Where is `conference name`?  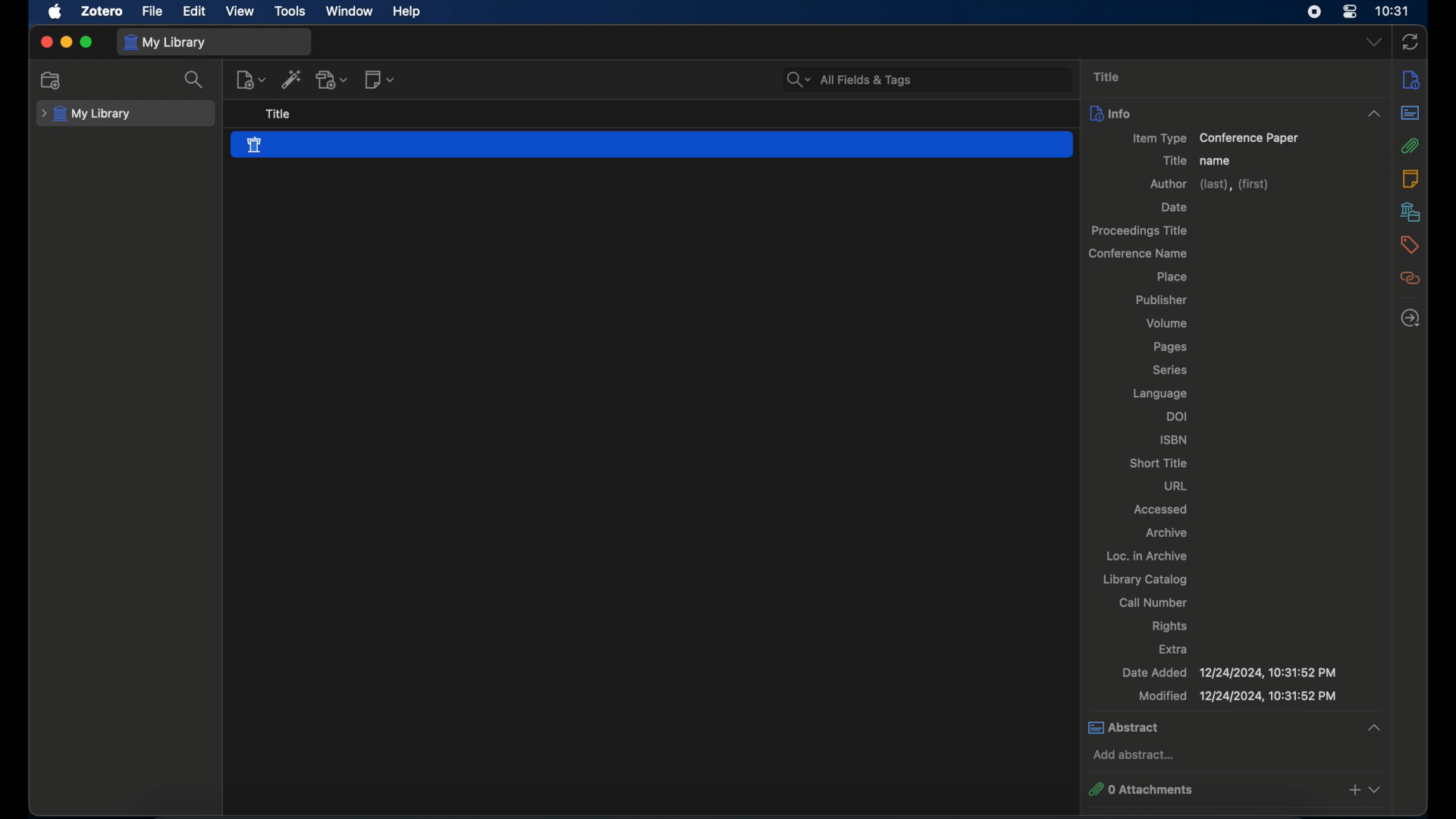 conference name is located at coordinates (1137, 254).